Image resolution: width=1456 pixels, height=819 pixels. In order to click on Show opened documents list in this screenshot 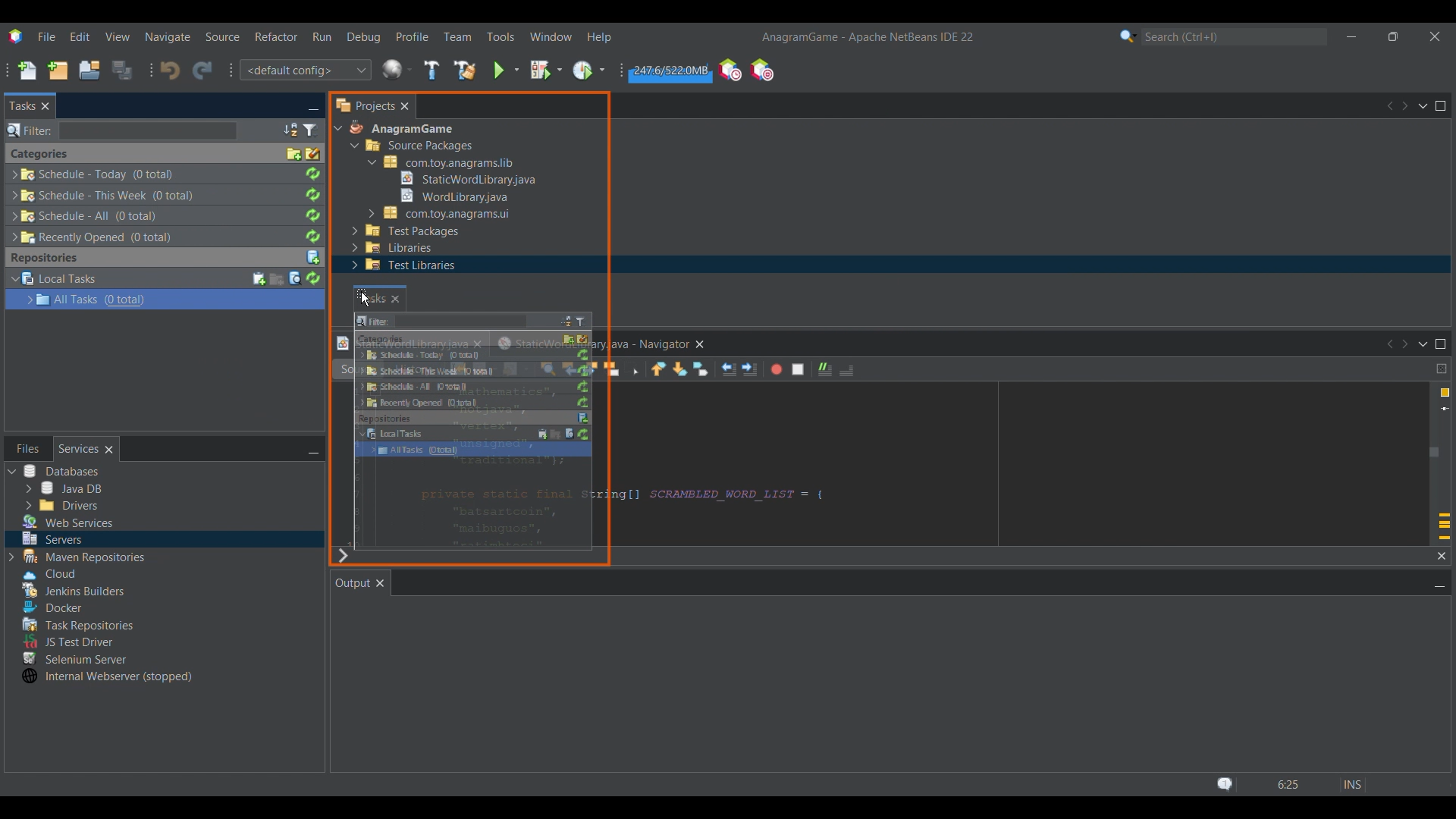, I will do `click(1425, 345)`.